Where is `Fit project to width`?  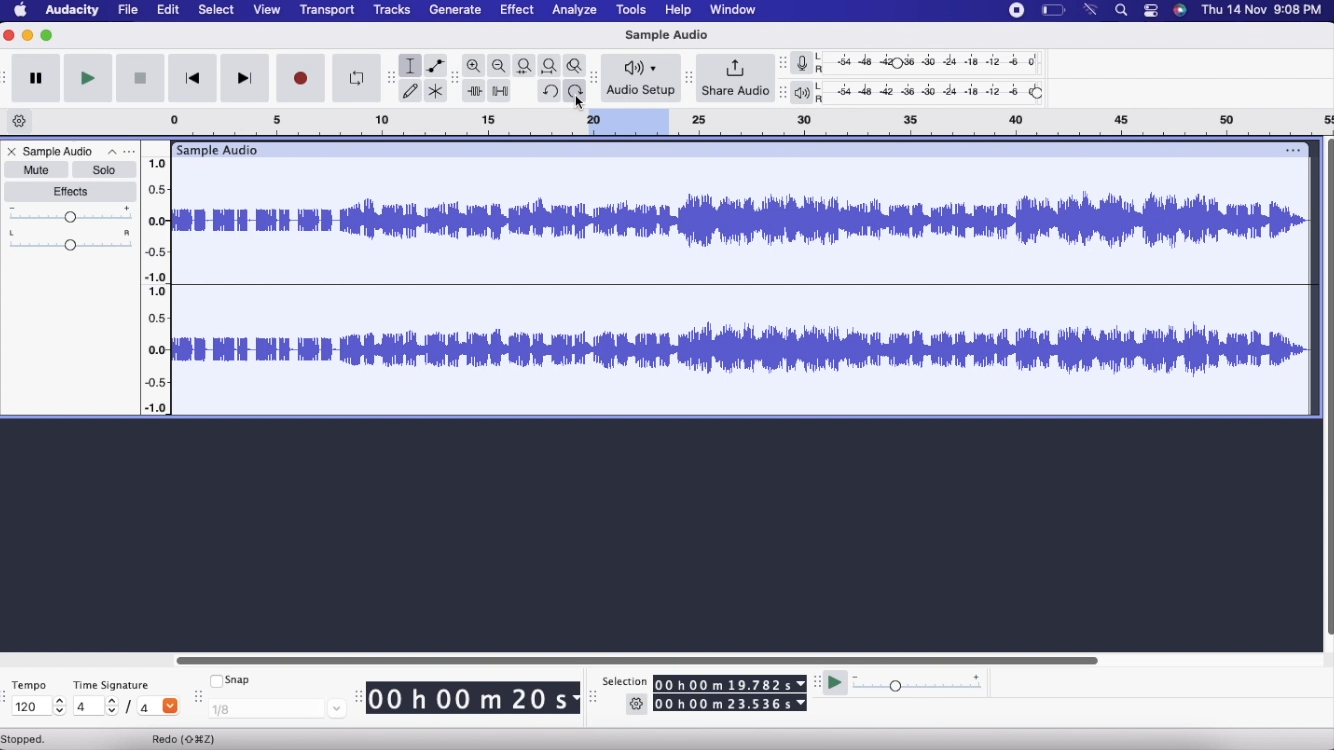 Fit project to width is located at coordinates (550, 66).